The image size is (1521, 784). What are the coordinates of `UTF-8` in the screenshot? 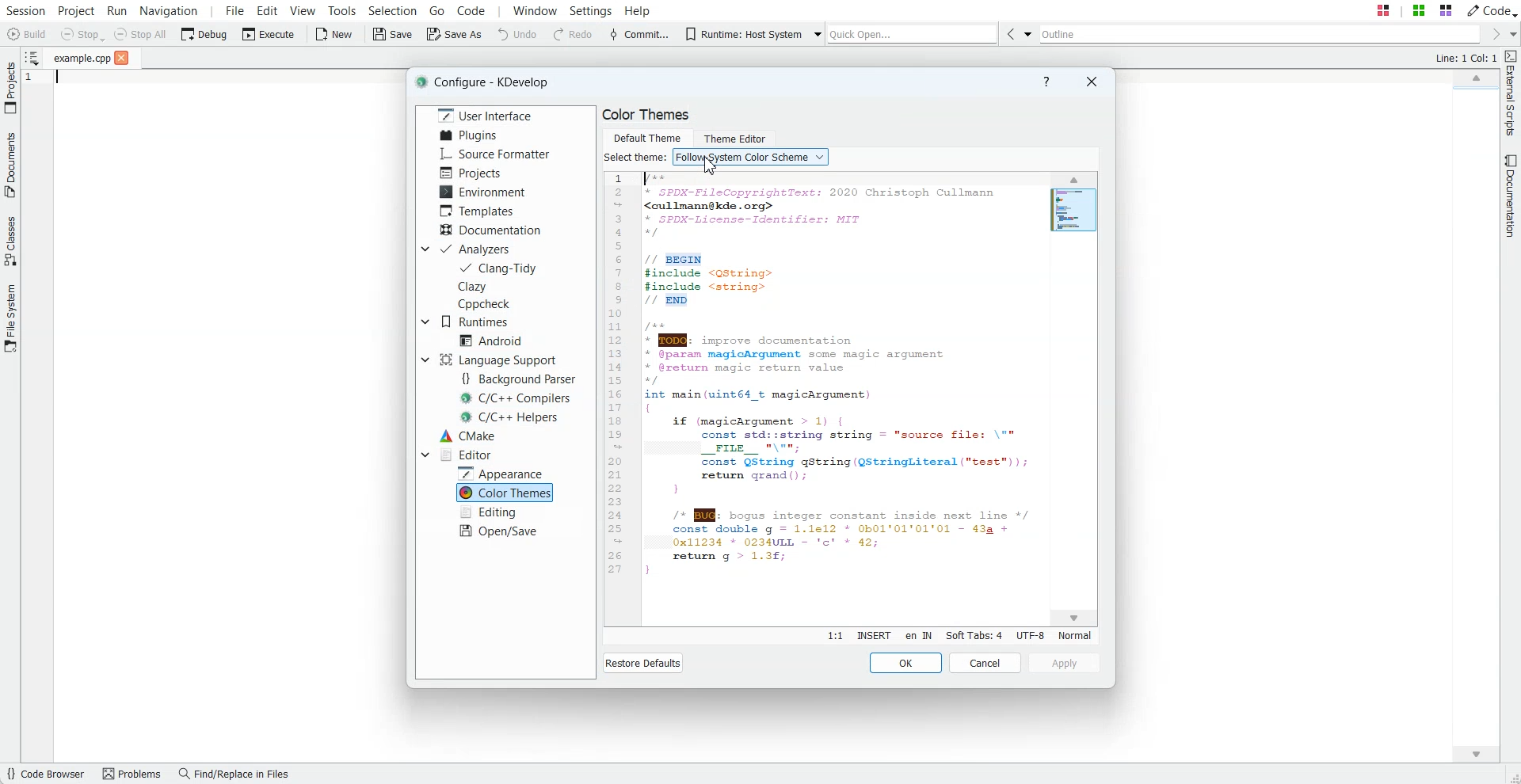 It's located at (1030, 635).